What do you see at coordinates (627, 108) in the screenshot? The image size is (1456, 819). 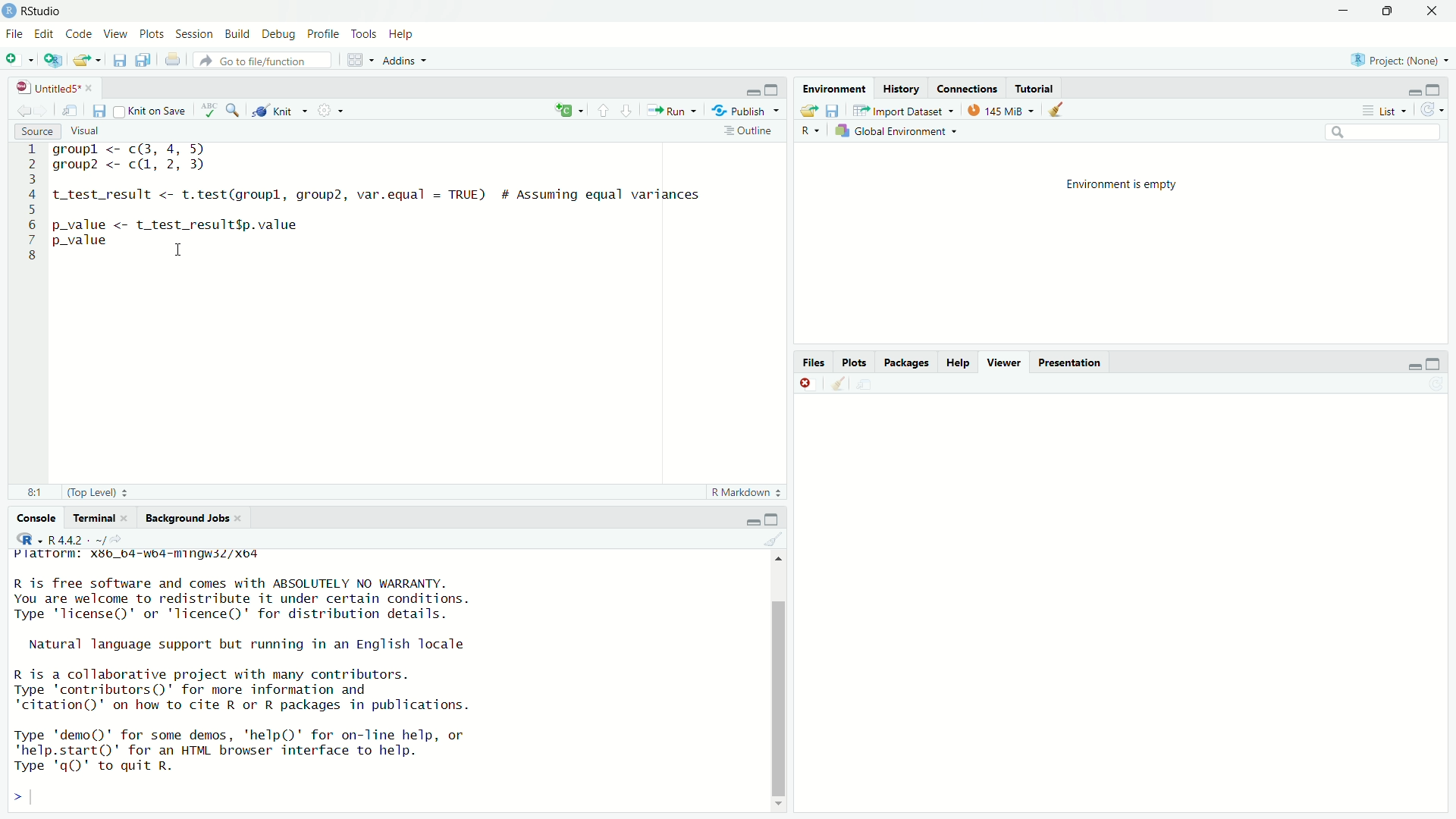 I see `go to next section` at bounding box center [627, 108].